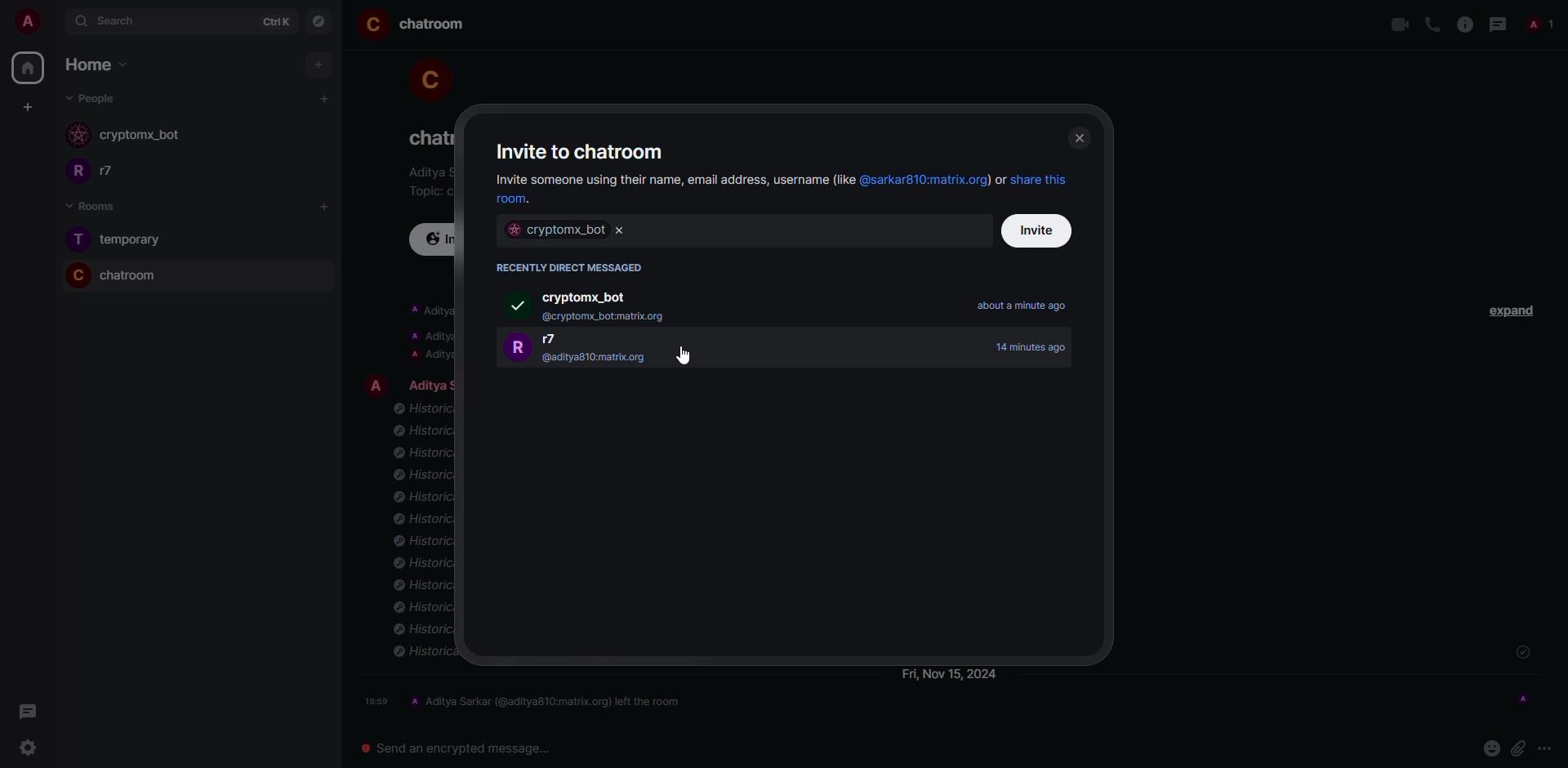  Describe the element at coordinates (1570, 495) in the screenshot. I see `scroll bar` at that location.